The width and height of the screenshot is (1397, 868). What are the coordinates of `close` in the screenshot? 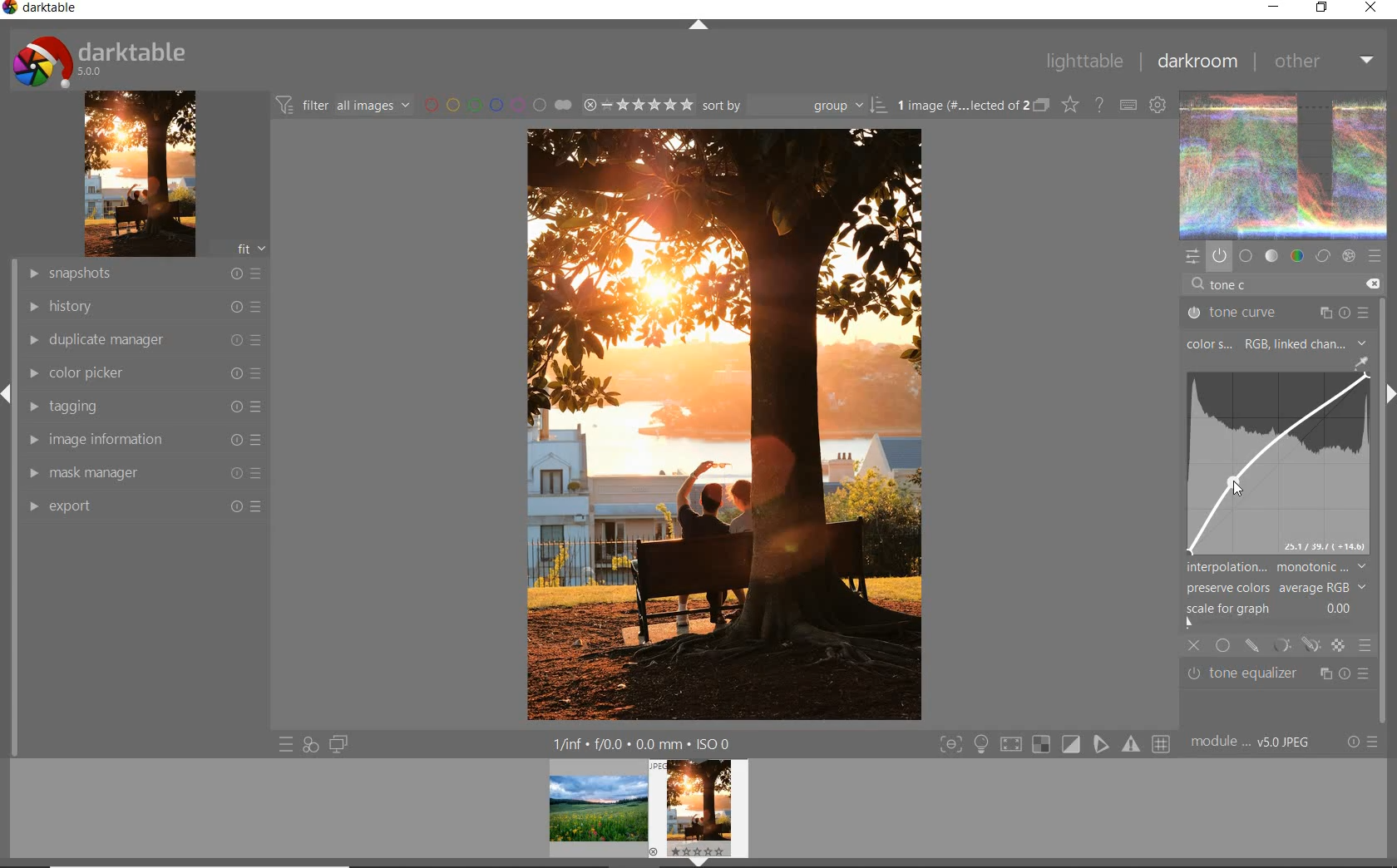 It's located at (1196, 648).